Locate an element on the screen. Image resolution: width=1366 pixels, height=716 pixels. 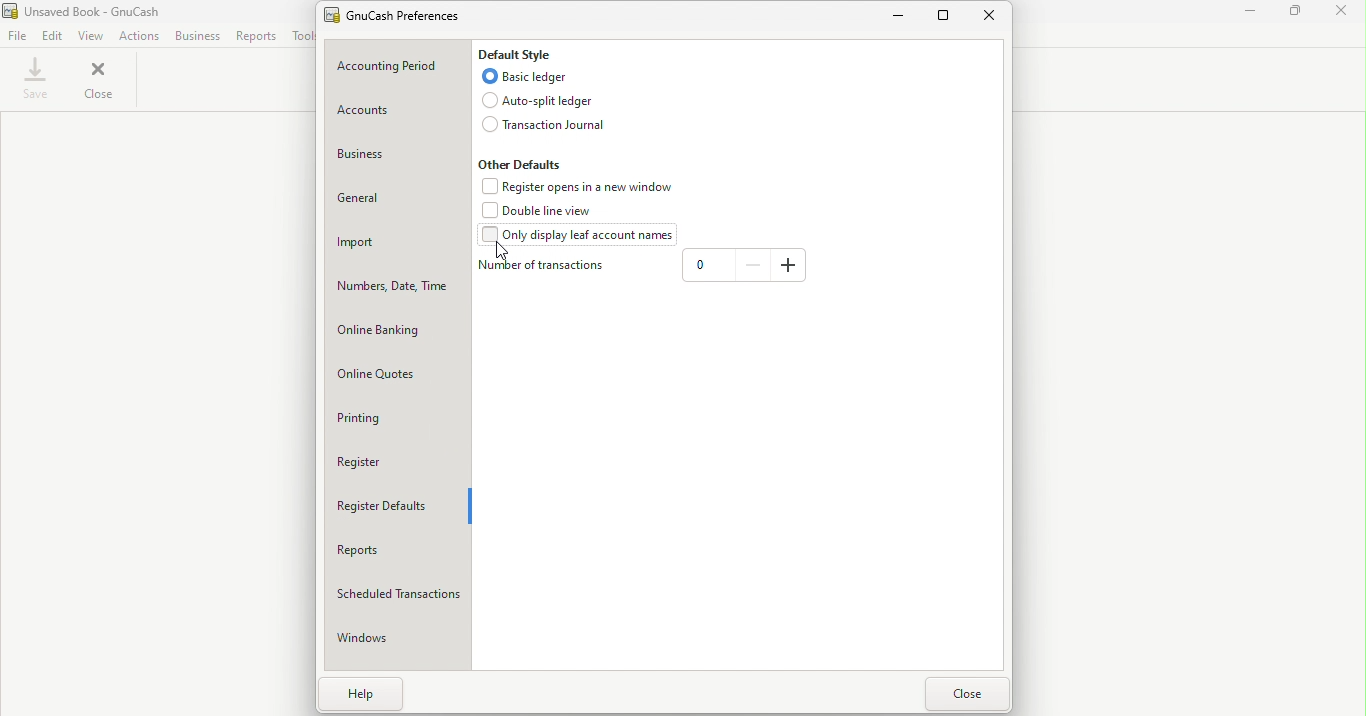
Only display leaf account names is located at coordinates (581, 237).